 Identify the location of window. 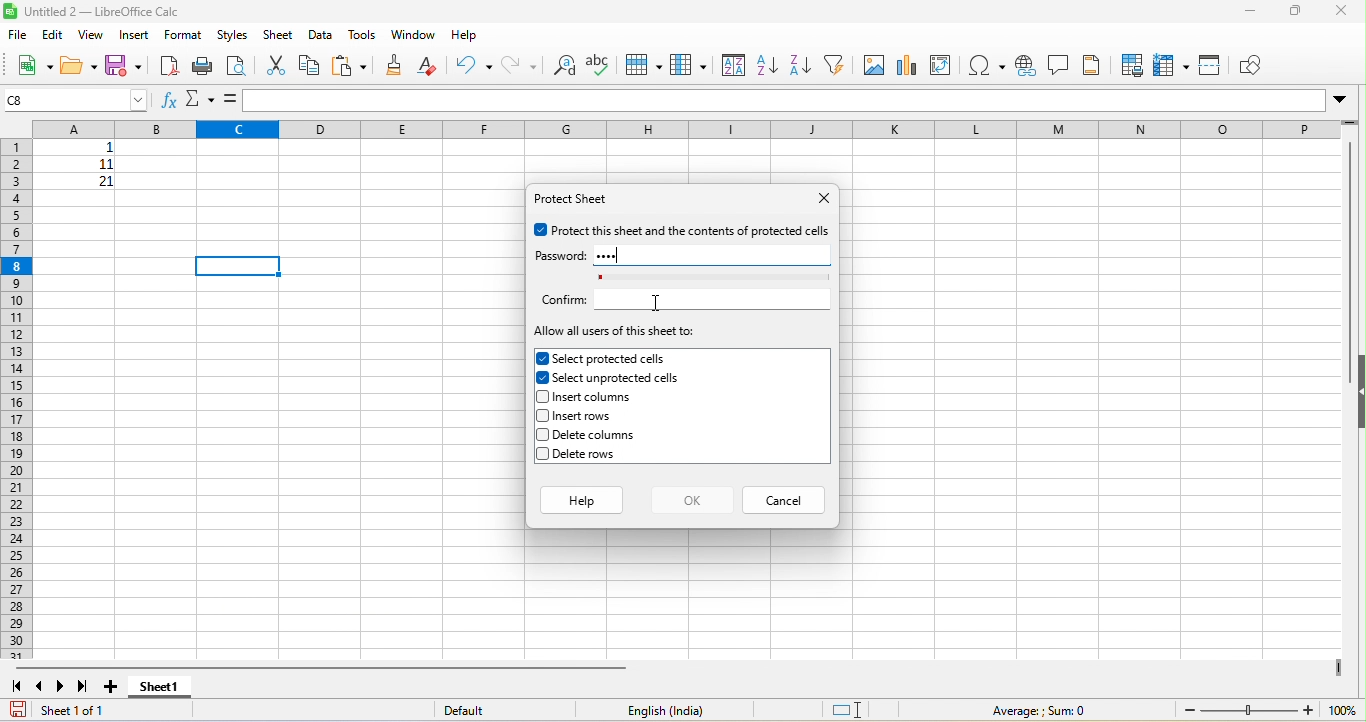
(412, 36).